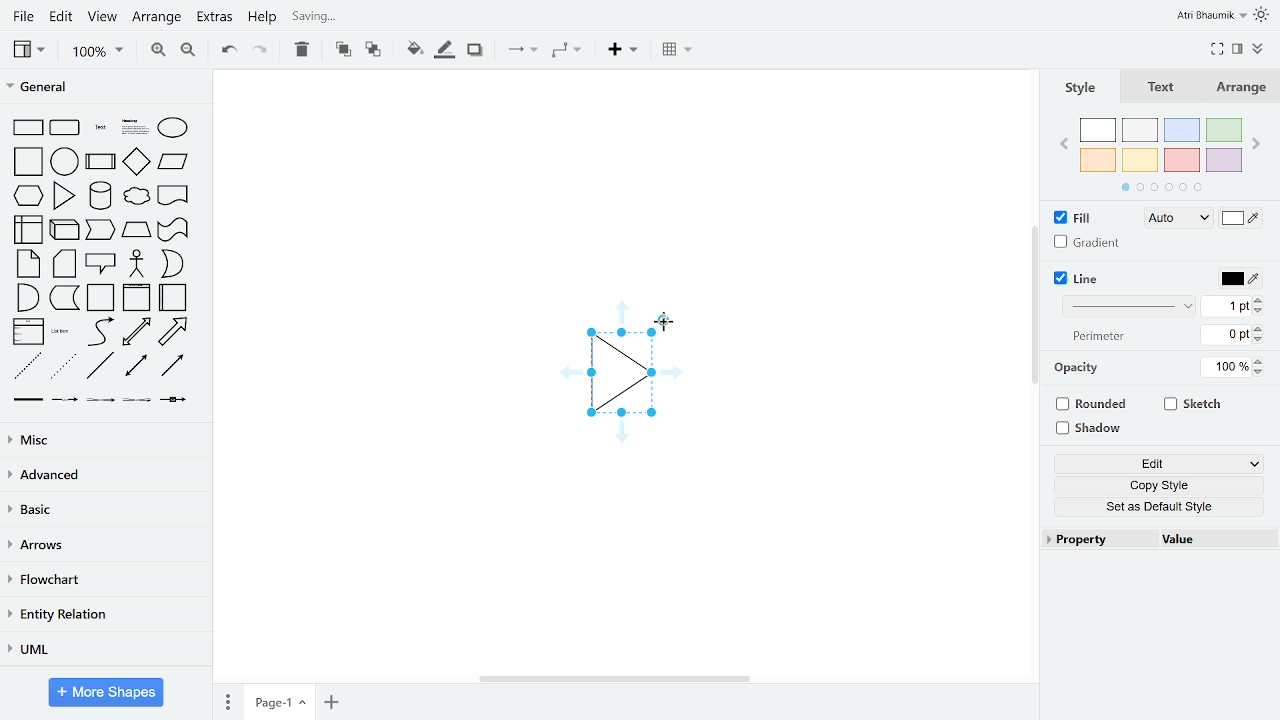 This screenshot has height=720, width=1280. What do you see at coordinates (136, 332) in the screenshot?
I see `bidirectional arrow` at bounding box center [136, 332].